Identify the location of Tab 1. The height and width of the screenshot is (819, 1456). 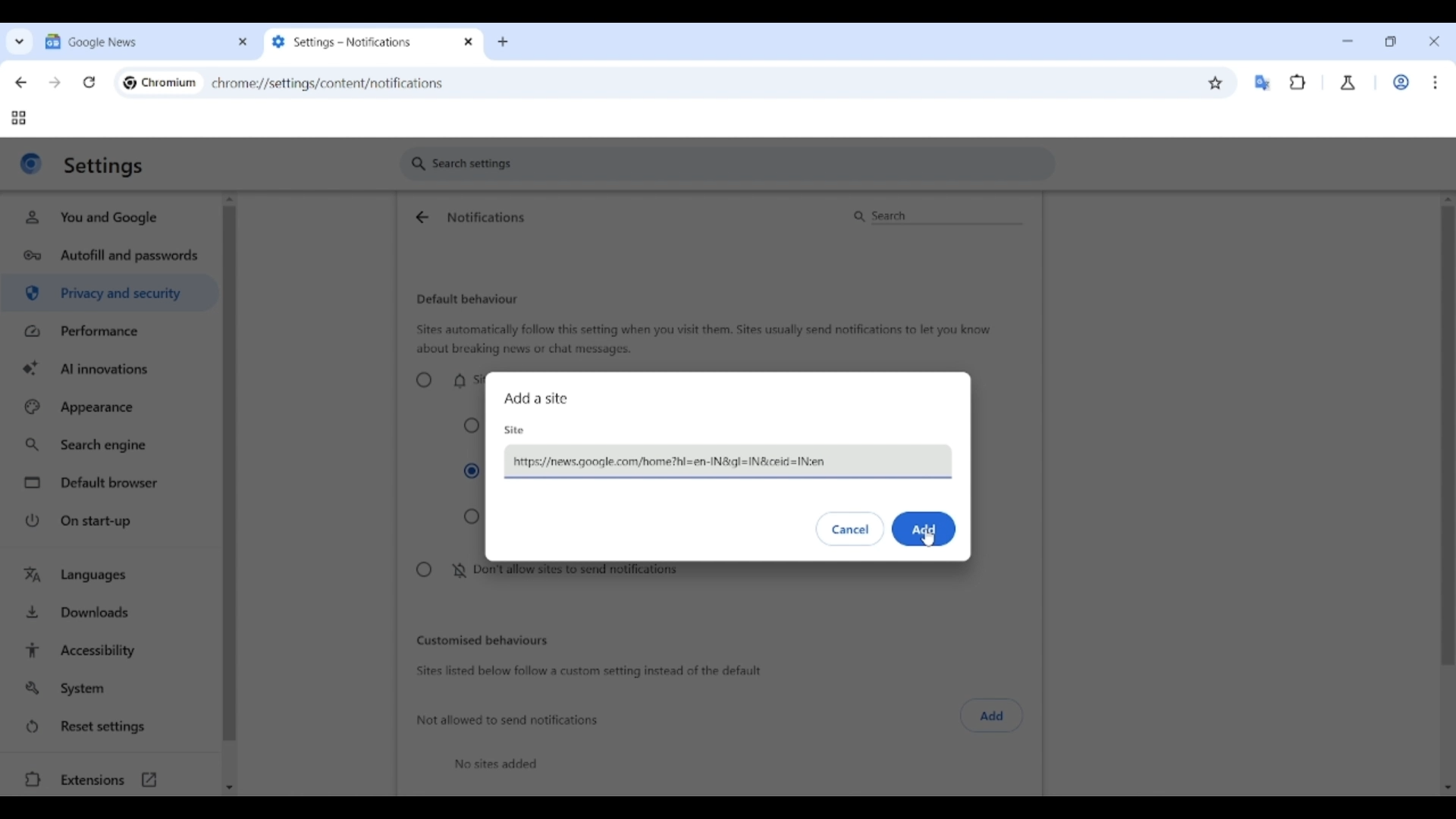
(135, 41).